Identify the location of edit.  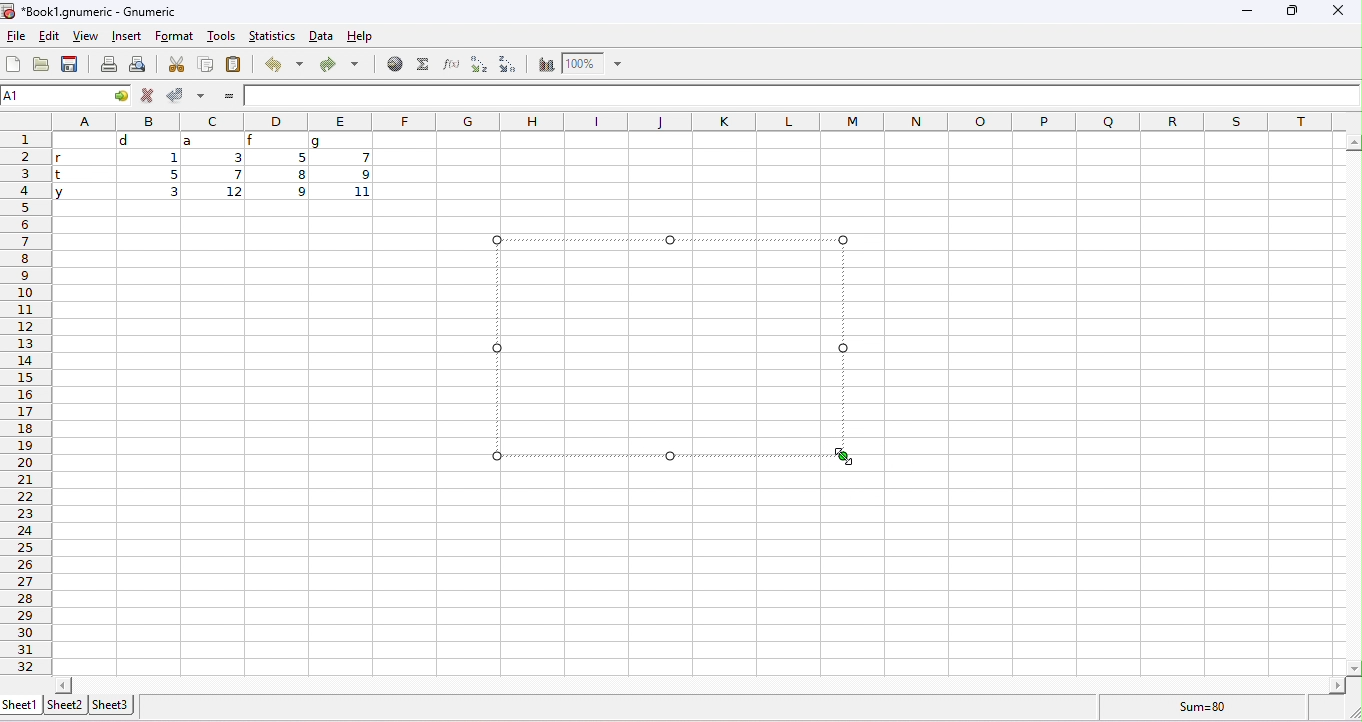
(51, 37).